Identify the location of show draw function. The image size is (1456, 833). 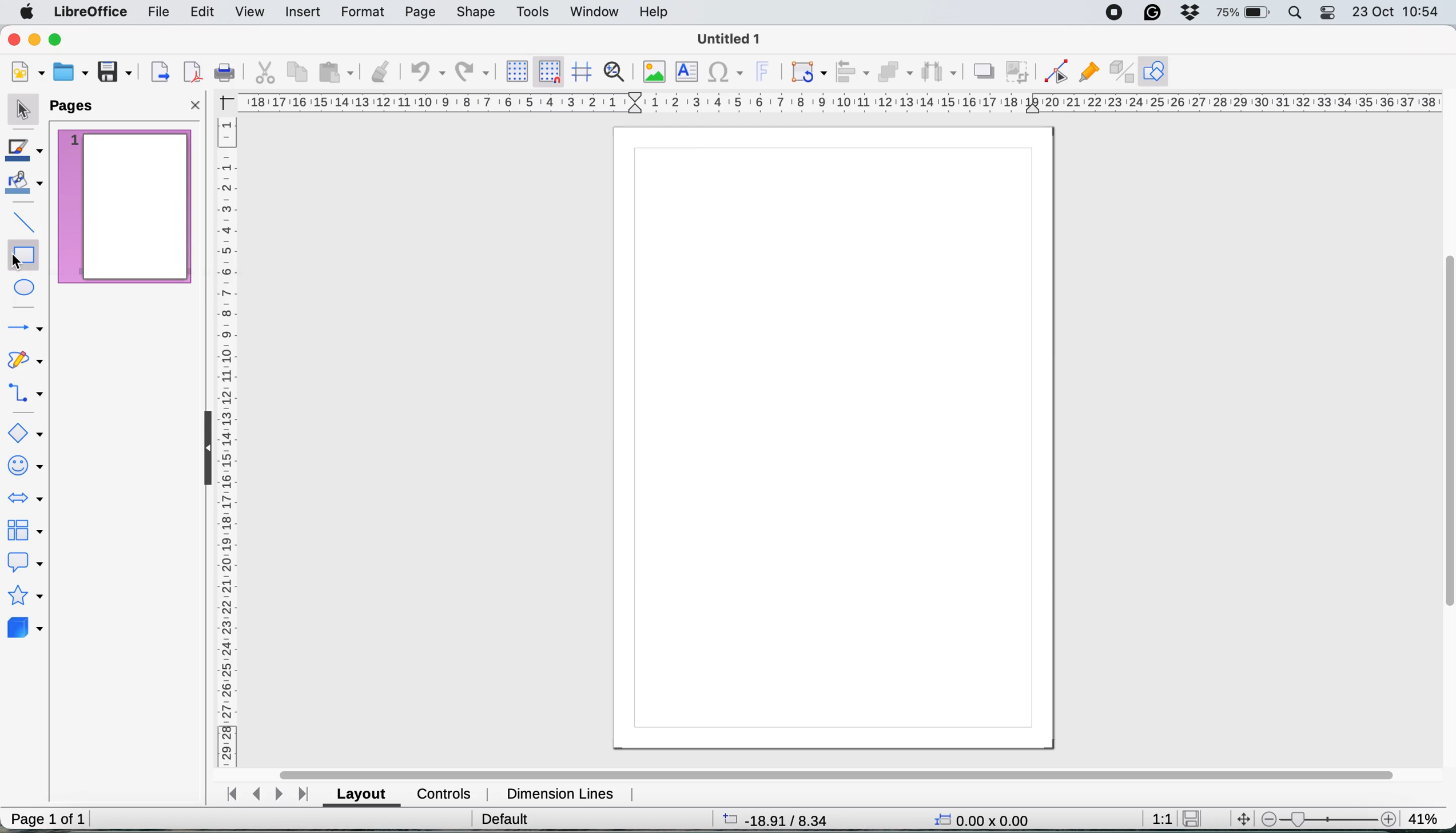
(1156, 70).